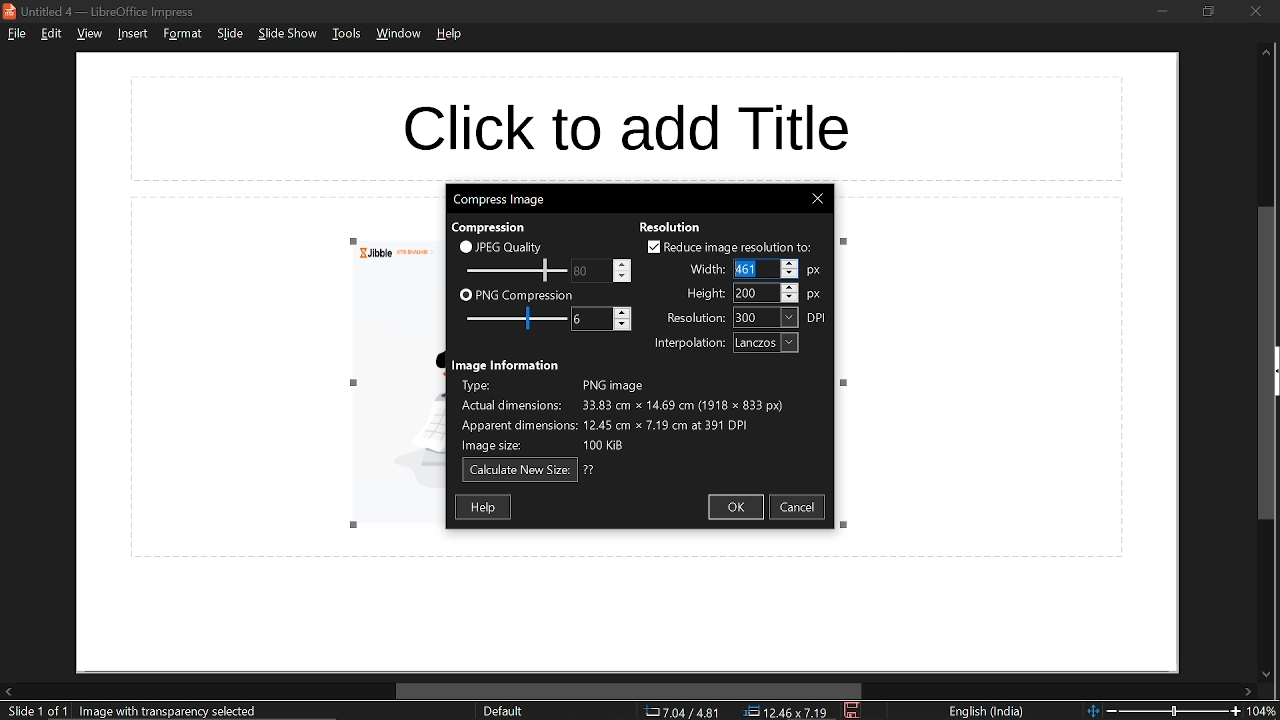 The image size is (1280, 720). What do you see at coordinates (465, 296) in the screenshot?
I see `checkbox` at bounding box center [465, 296].